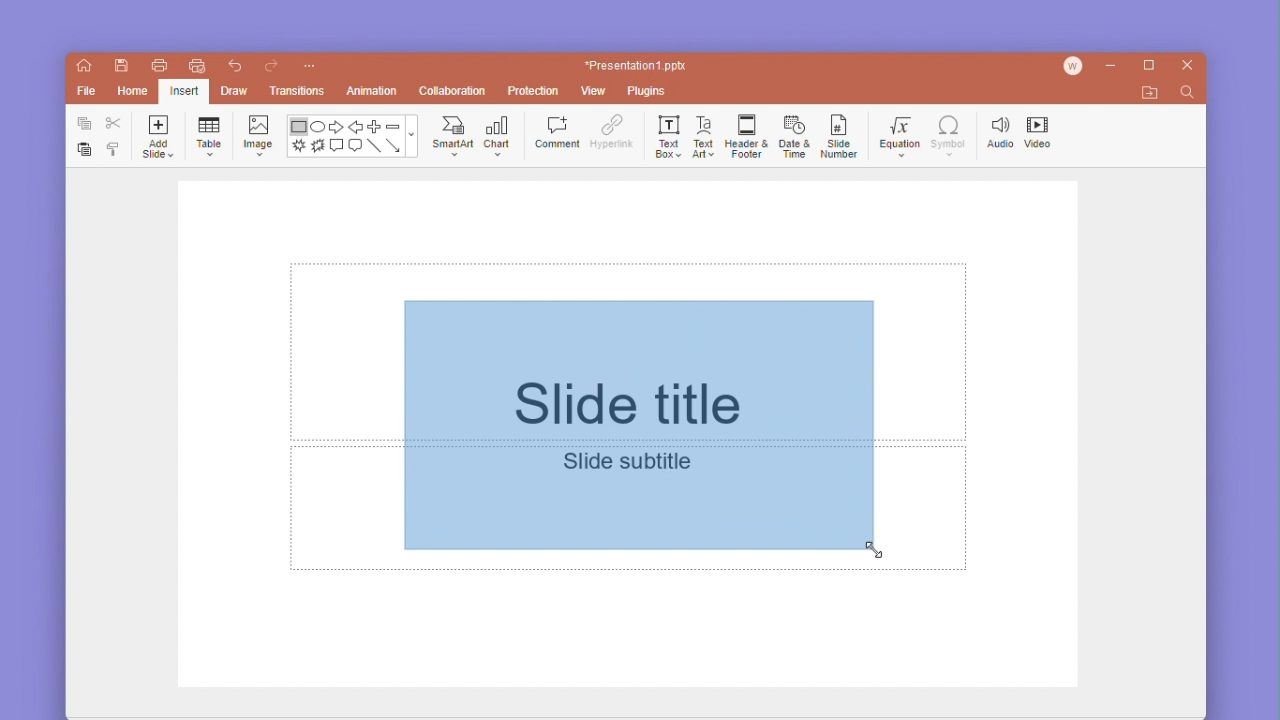  Describe the element at coordinates (997, 129) in the screenshot. I see `audio` at that location.